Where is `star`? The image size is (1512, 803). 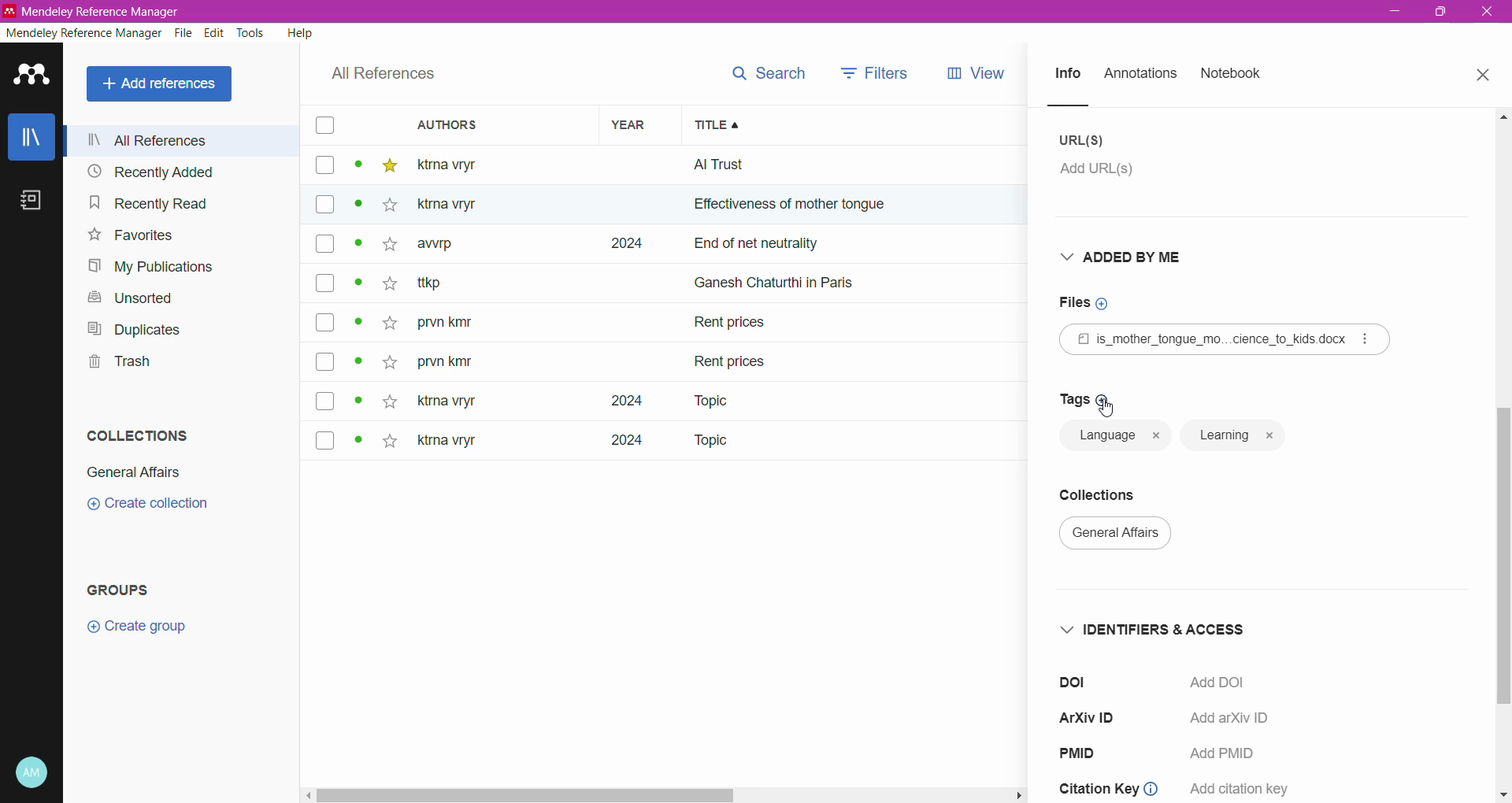
star is located at coordinates (387, 287).